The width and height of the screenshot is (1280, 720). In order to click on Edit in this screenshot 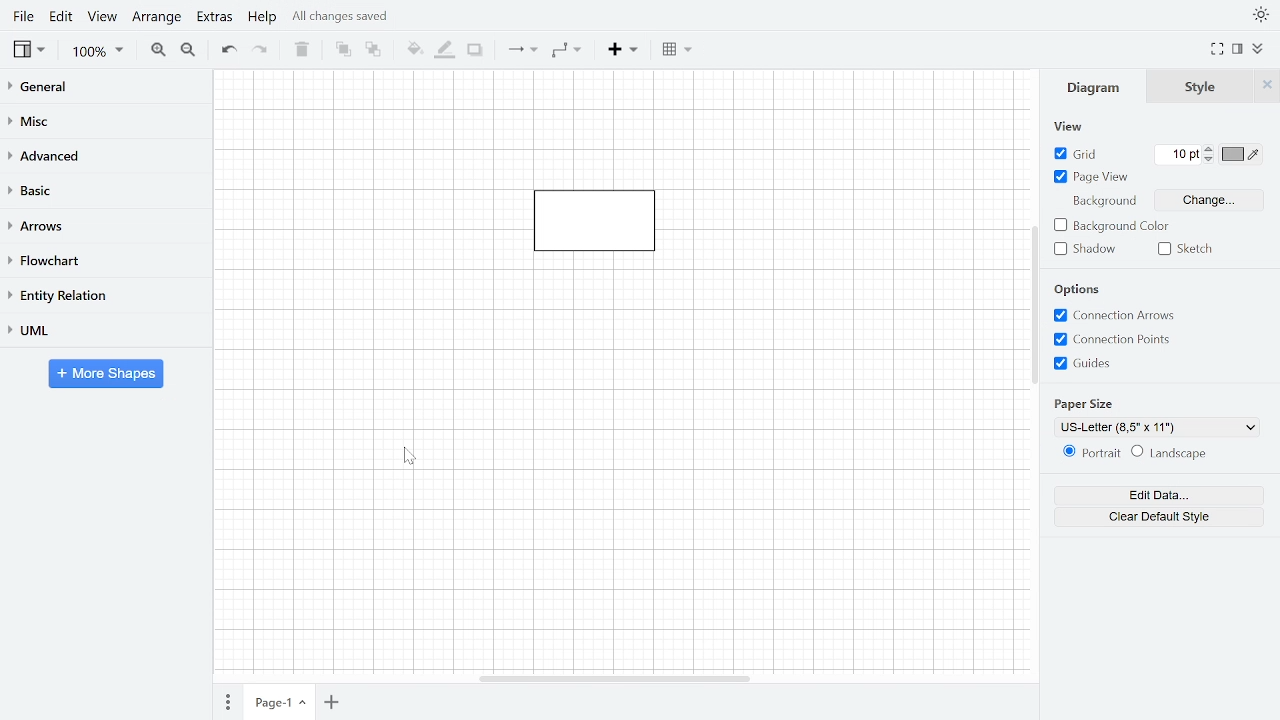, I will do `click(63, 17)`.